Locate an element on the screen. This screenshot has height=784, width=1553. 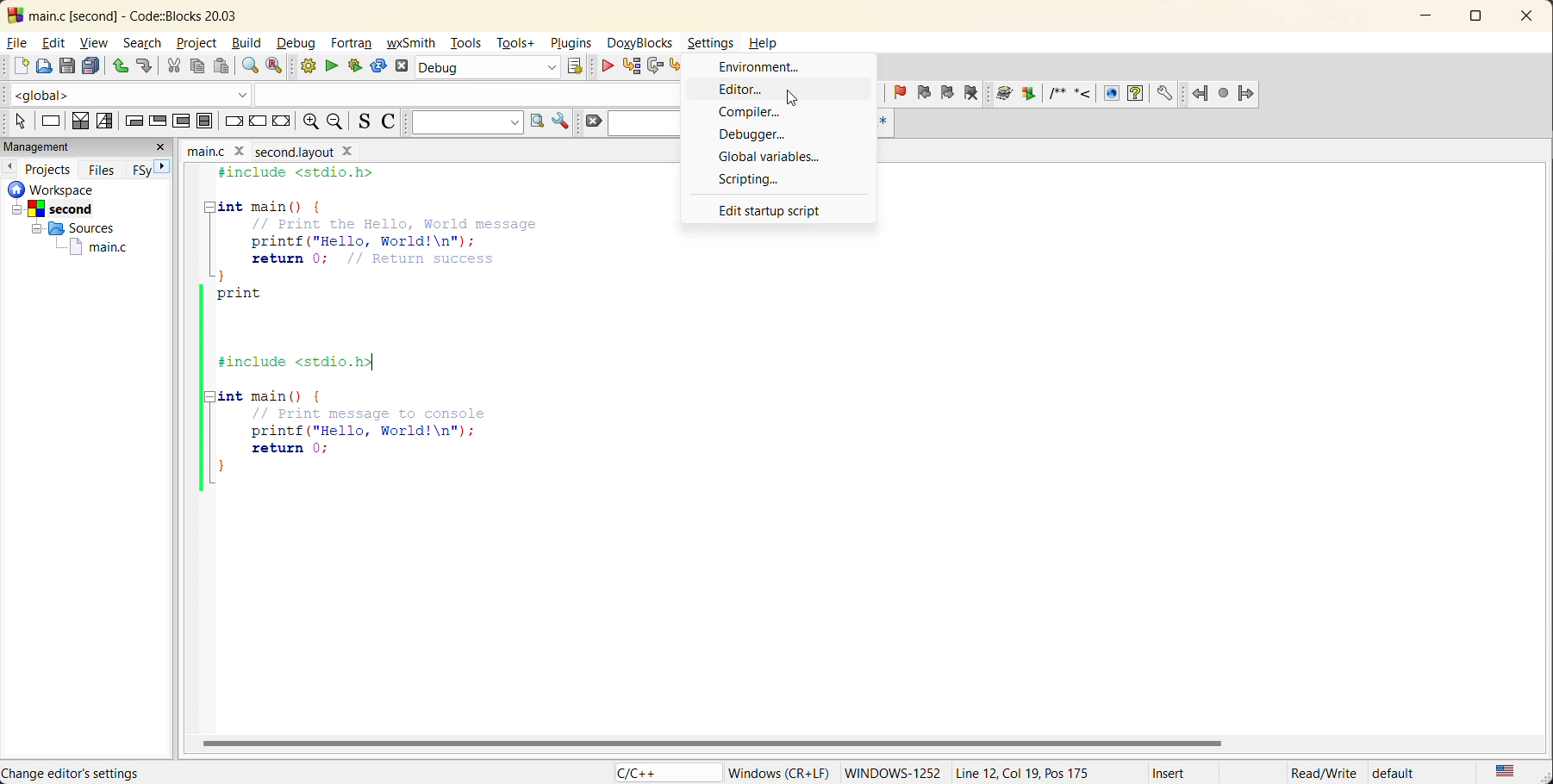
show select target dialog is located at coordinates (571, 66).